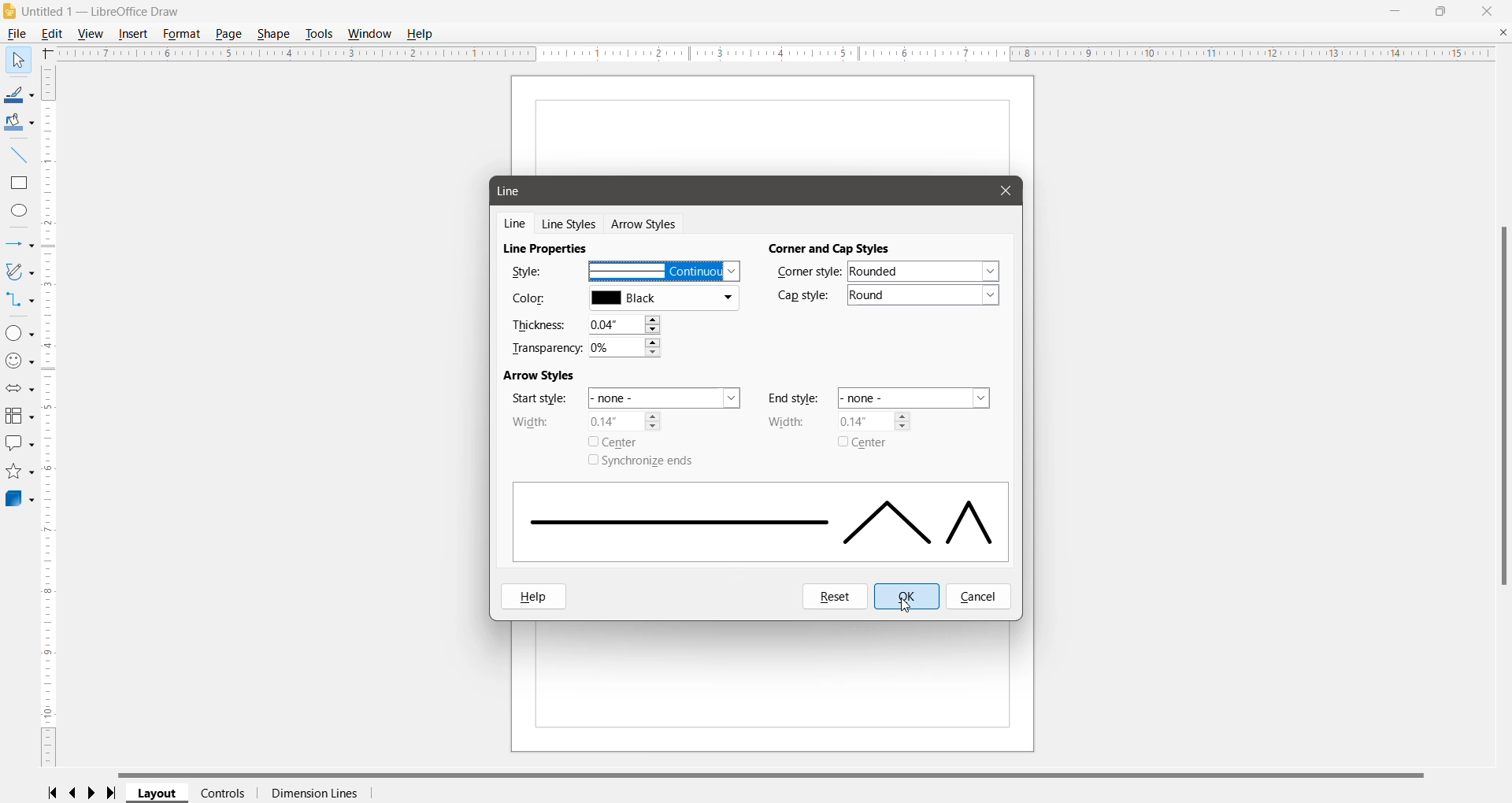  Describe the element at coordinates (157, 794) in the screenshot. I see `Layout` at that location.